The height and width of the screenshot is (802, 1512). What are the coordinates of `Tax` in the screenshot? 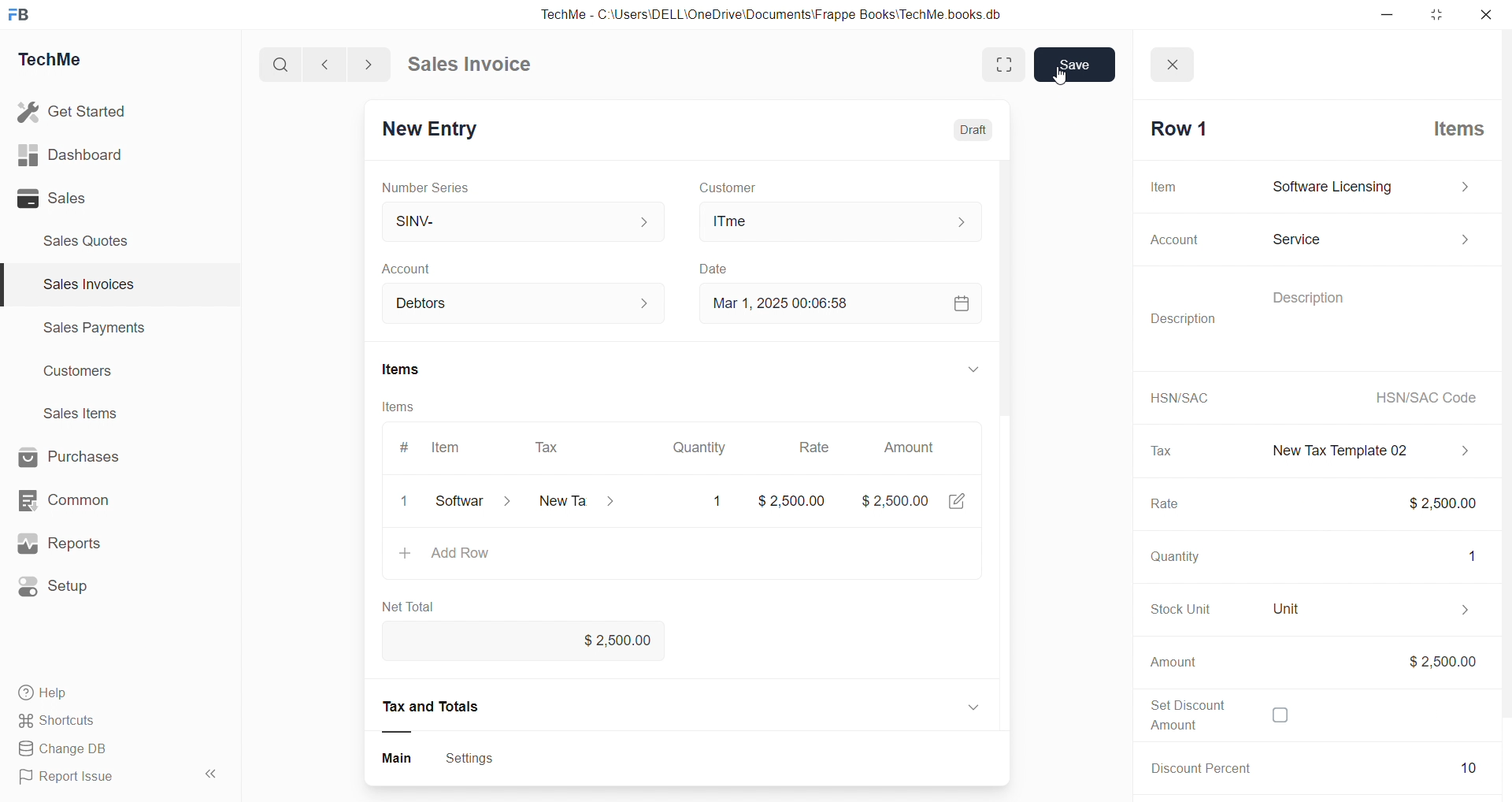 It's located at (549, 444).